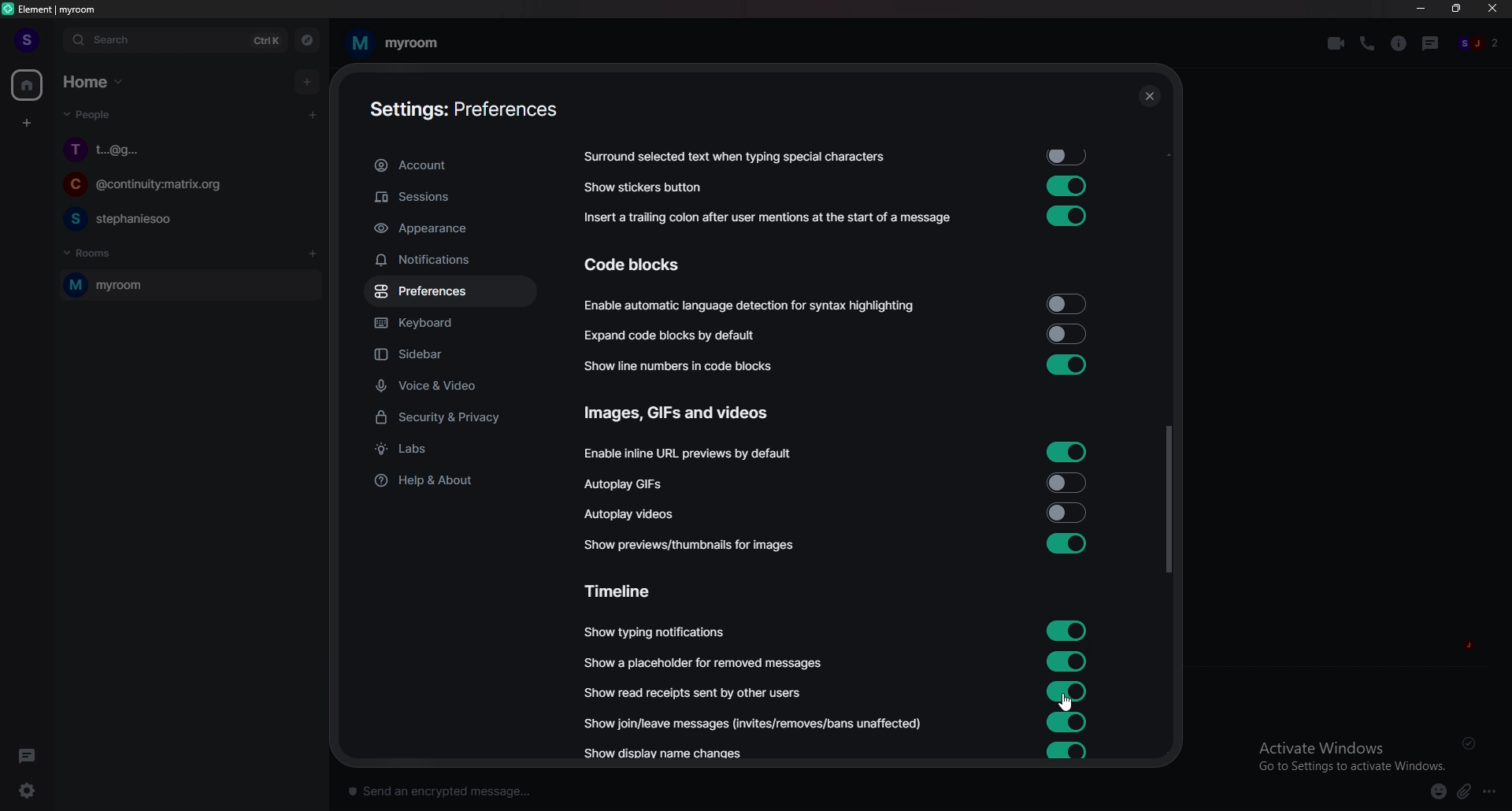  I want to click on profile, so click(25, 39).